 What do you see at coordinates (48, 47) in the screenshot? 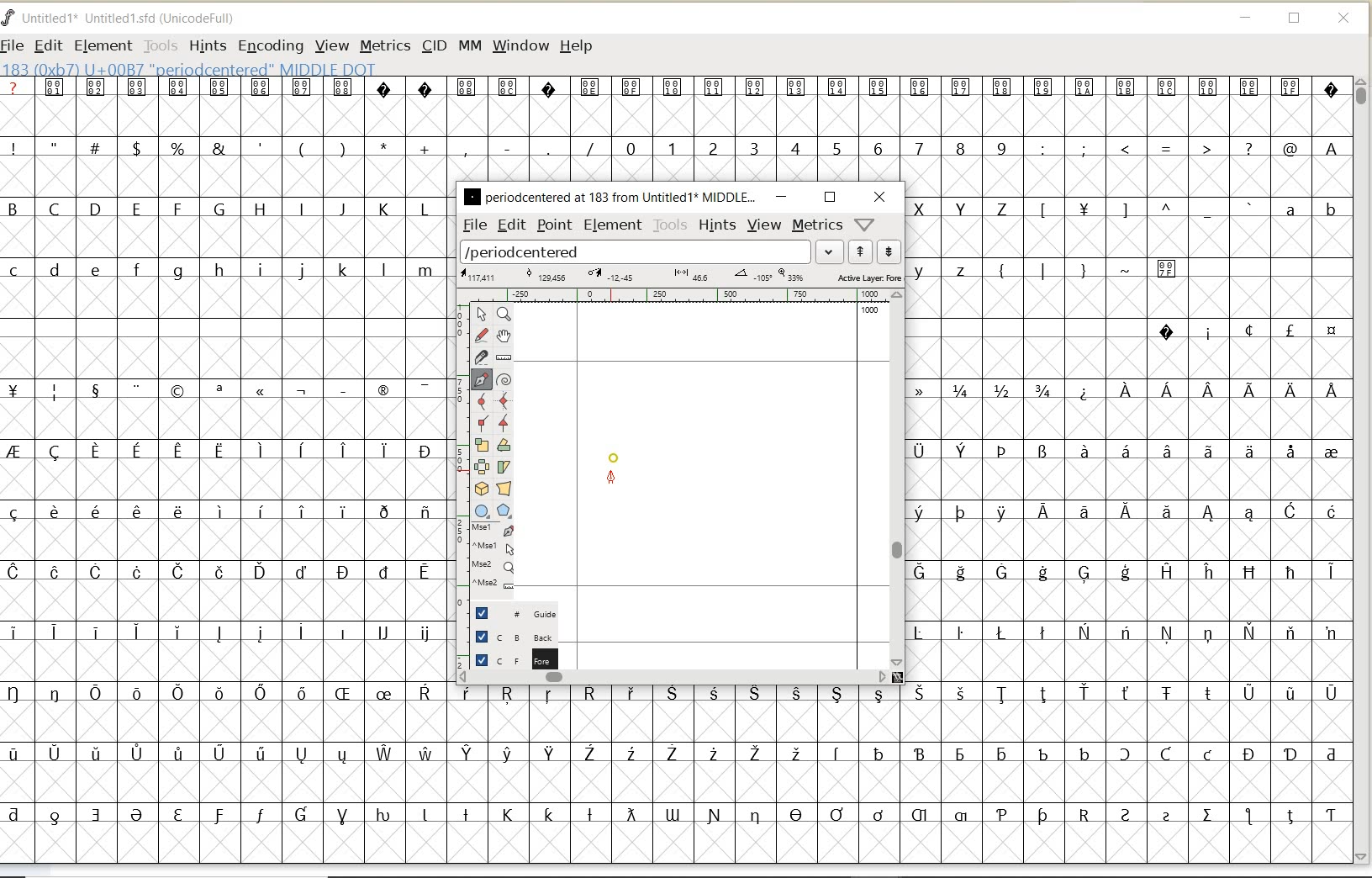
I see `EDIT` at bounding box center [48, 47].